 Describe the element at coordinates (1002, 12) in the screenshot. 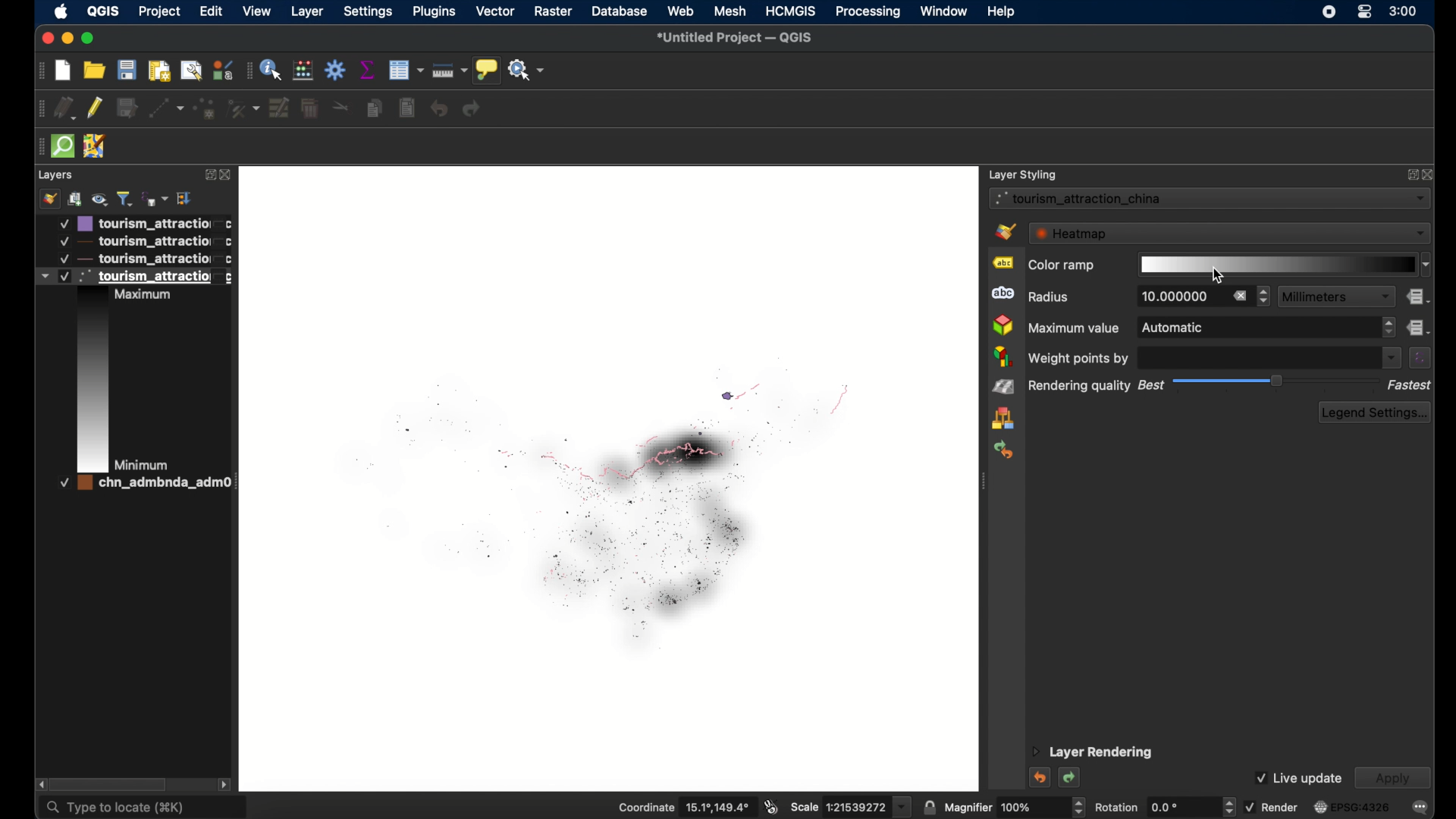

I see `help` at that location.